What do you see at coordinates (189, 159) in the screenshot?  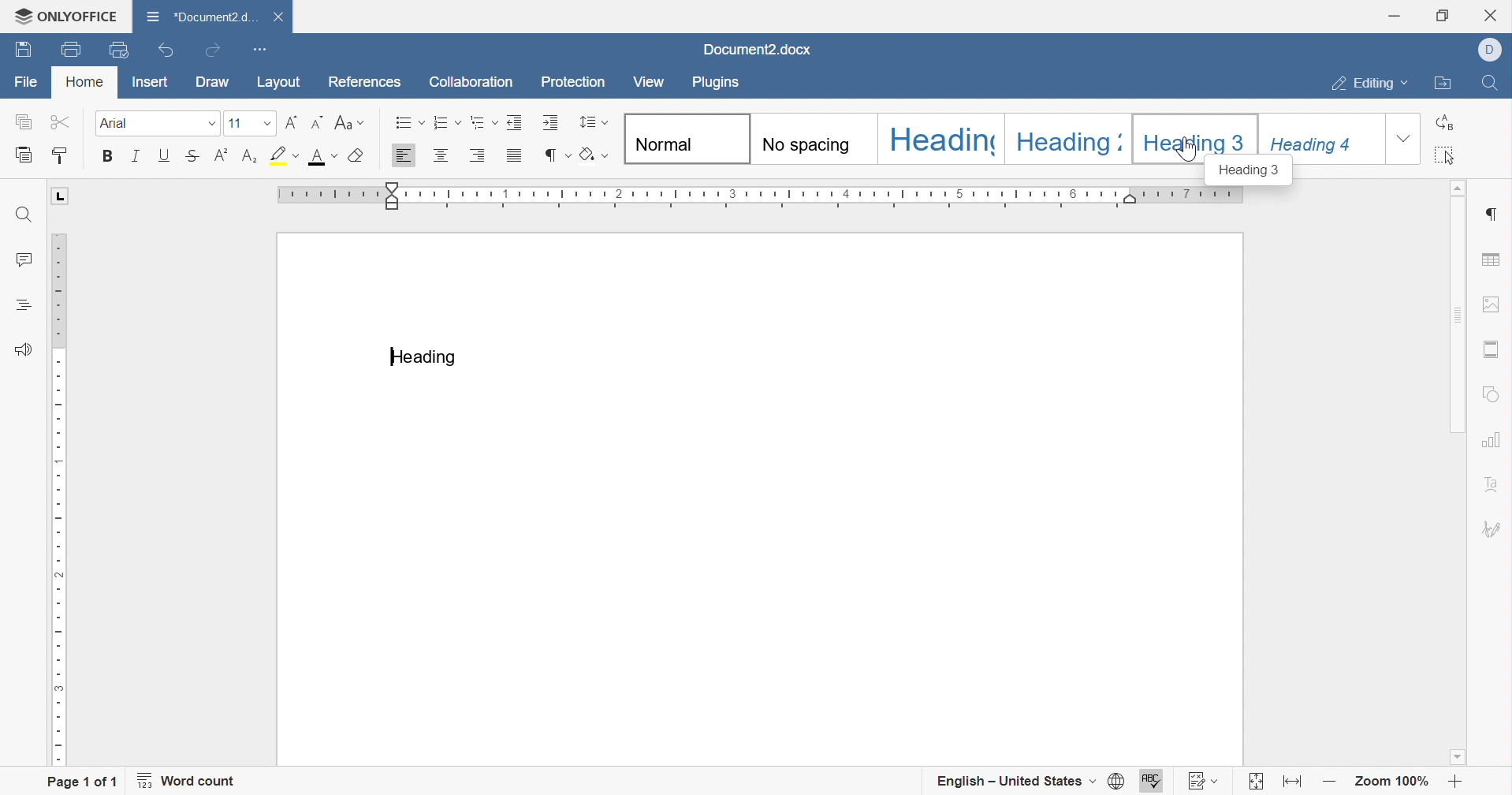 I see `Strikethrough` at bounding box center [189, 159].